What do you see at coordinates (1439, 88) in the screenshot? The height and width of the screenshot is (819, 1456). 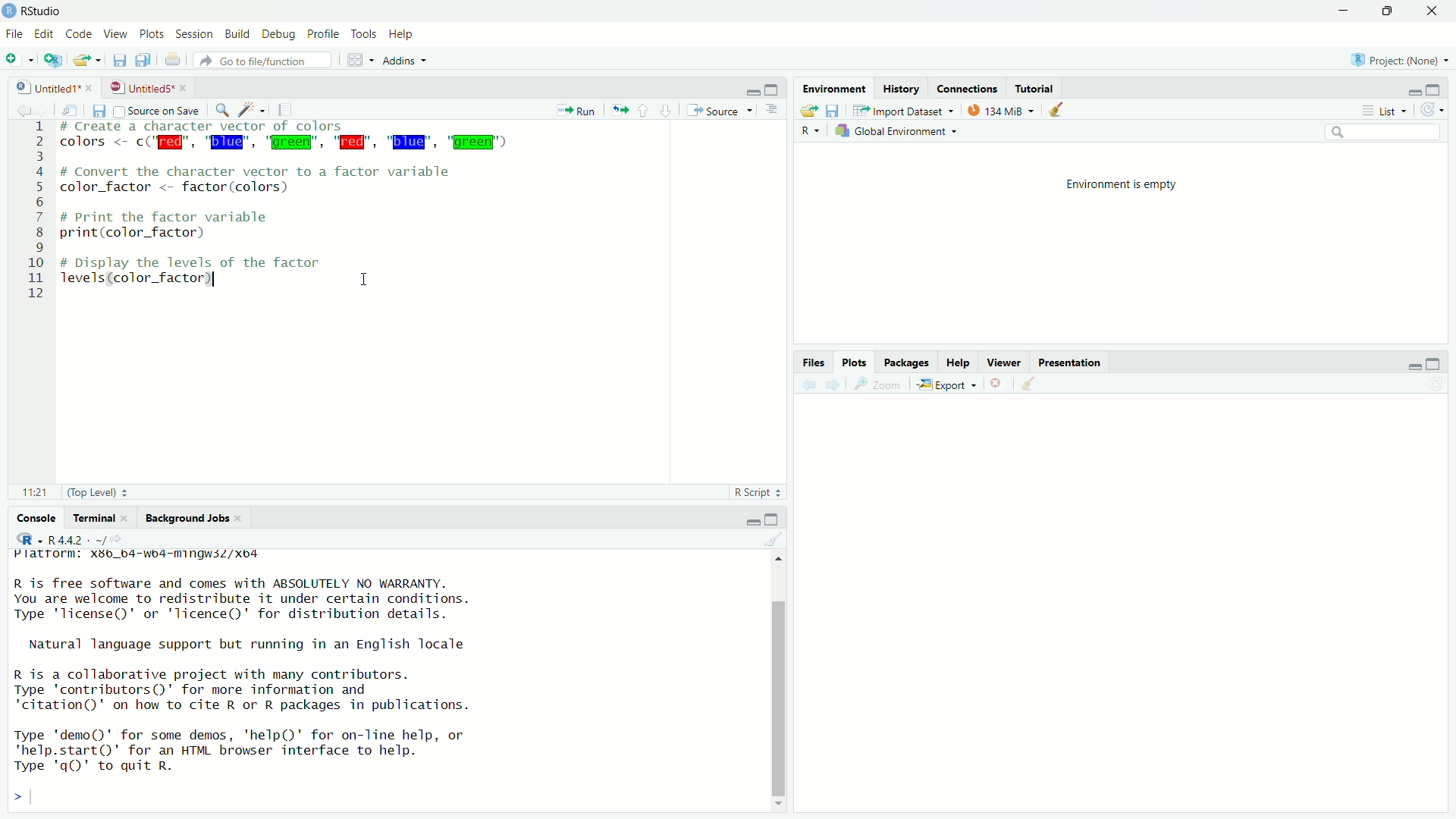 I see `maximize` at bounding box center [1439, 88].